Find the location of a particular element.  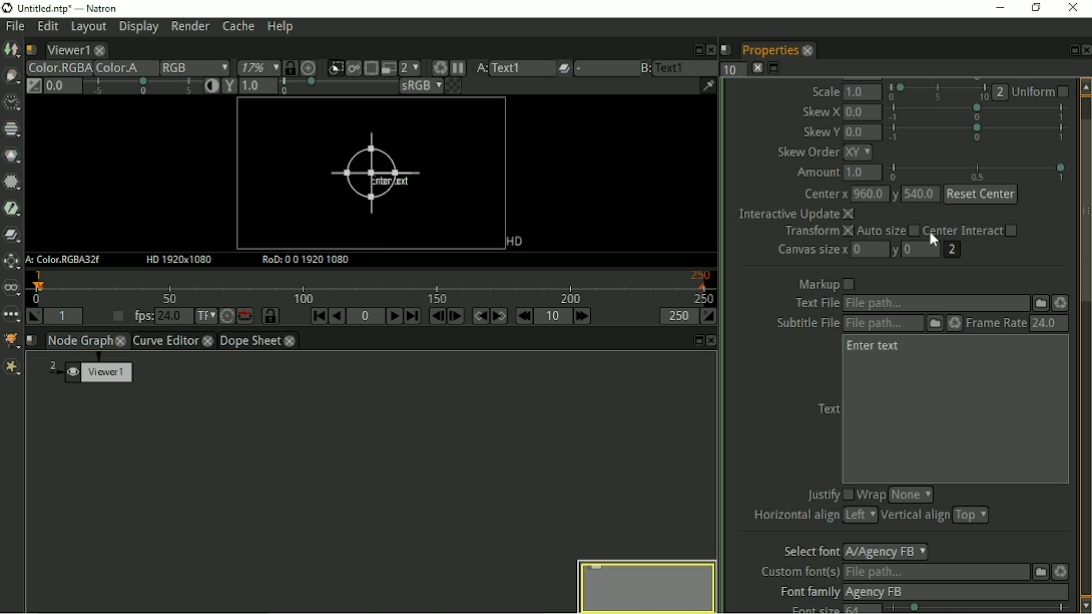

960 is located at coordinates (868, 194).